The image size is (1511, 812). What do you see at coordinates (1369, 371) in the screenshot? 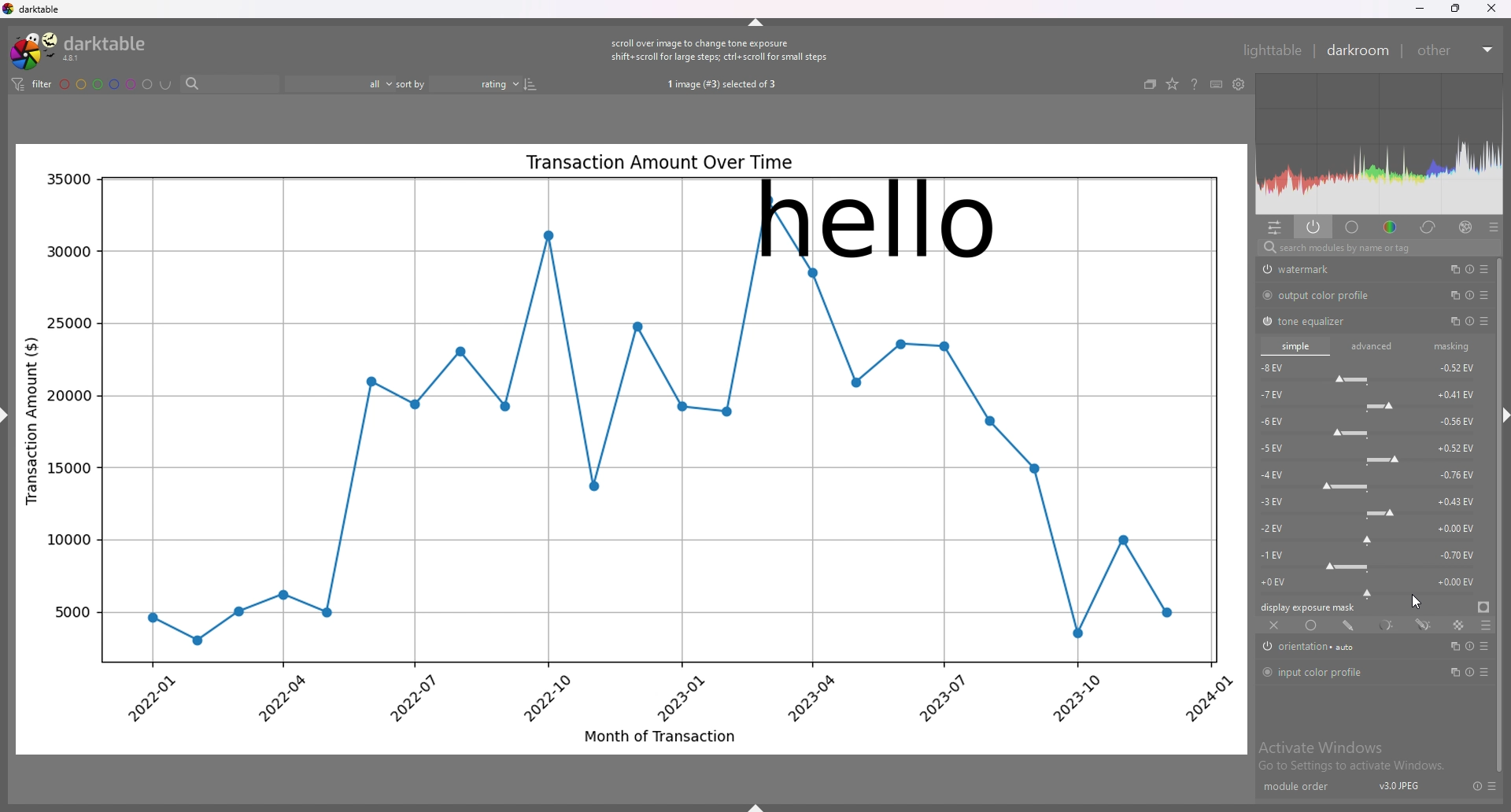
I see `-8 EV force` at bounding box center [1369, 371].